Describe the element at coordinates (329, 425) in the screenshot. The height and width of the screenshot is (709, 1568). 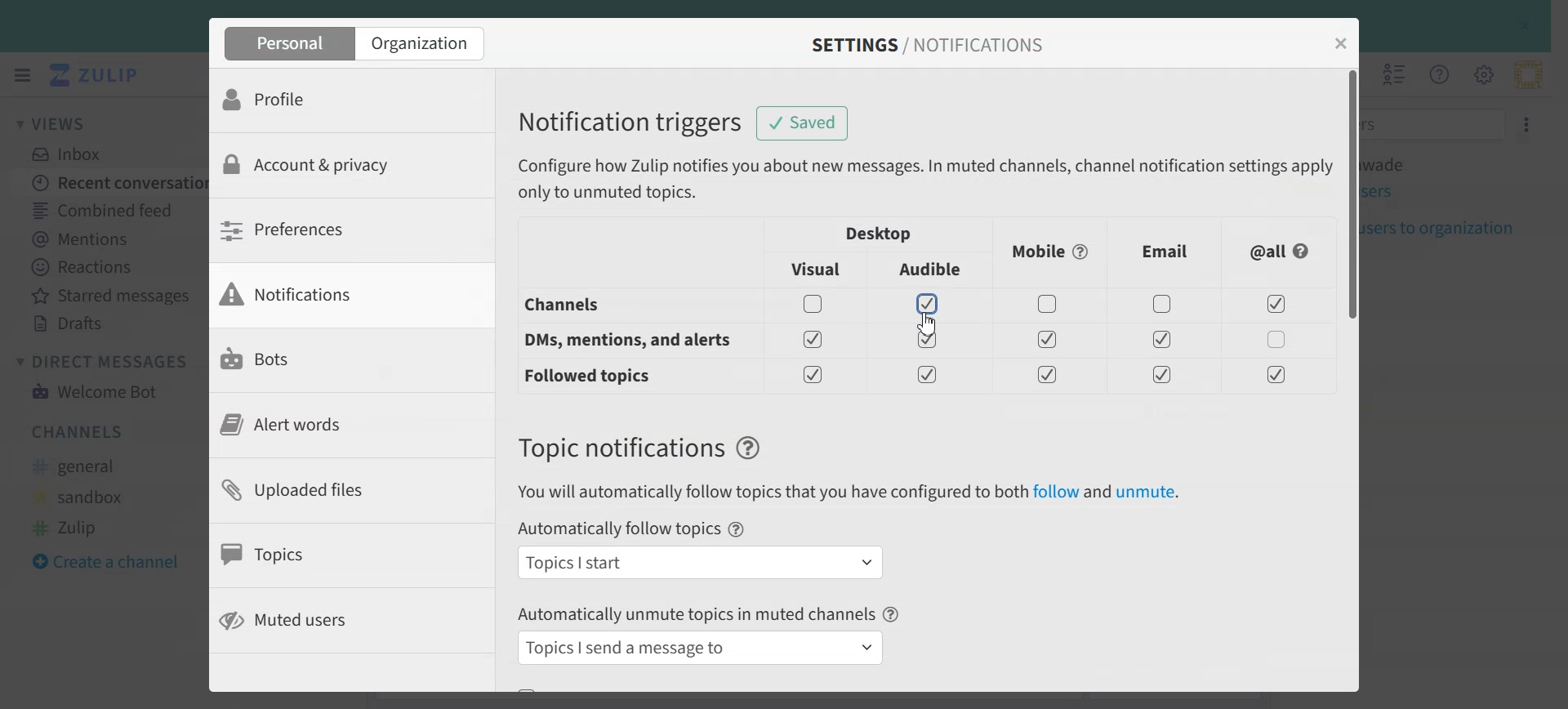
I see `Alert words ` at that location.